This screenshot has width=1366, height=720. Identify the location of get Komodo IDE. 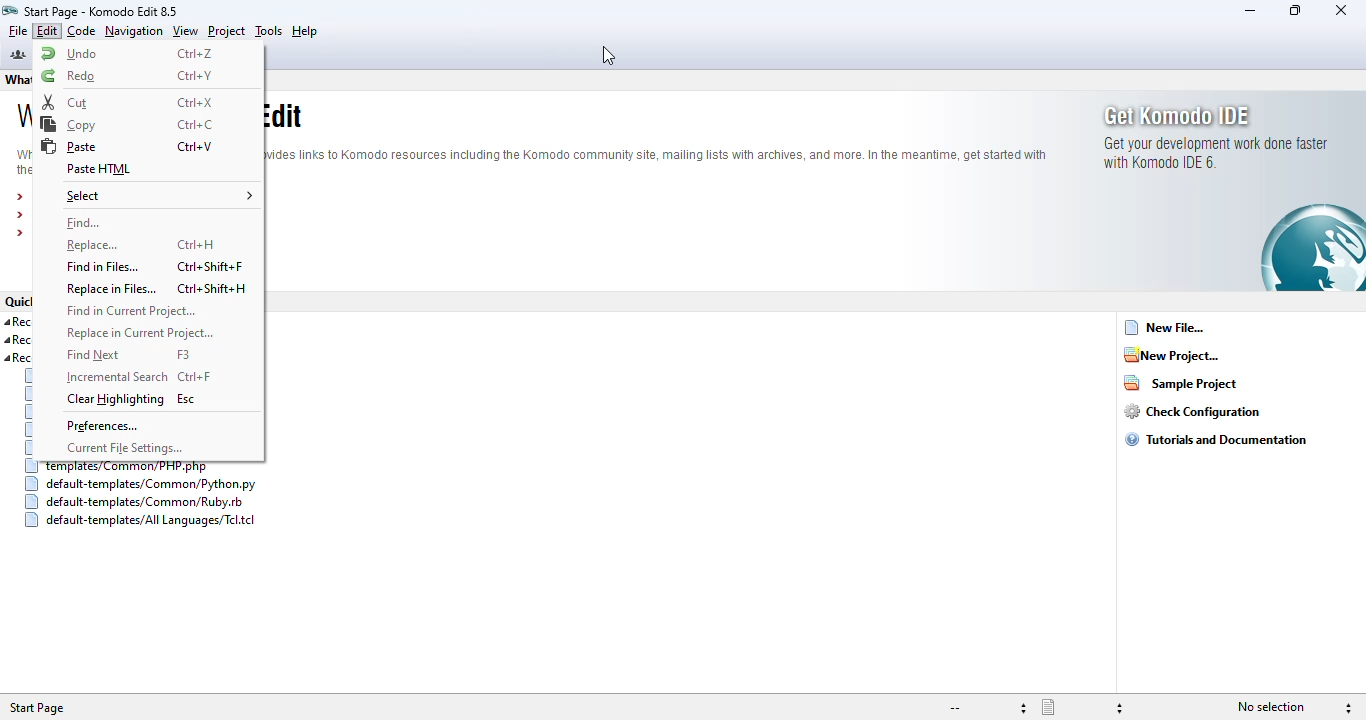
(1232, 190).